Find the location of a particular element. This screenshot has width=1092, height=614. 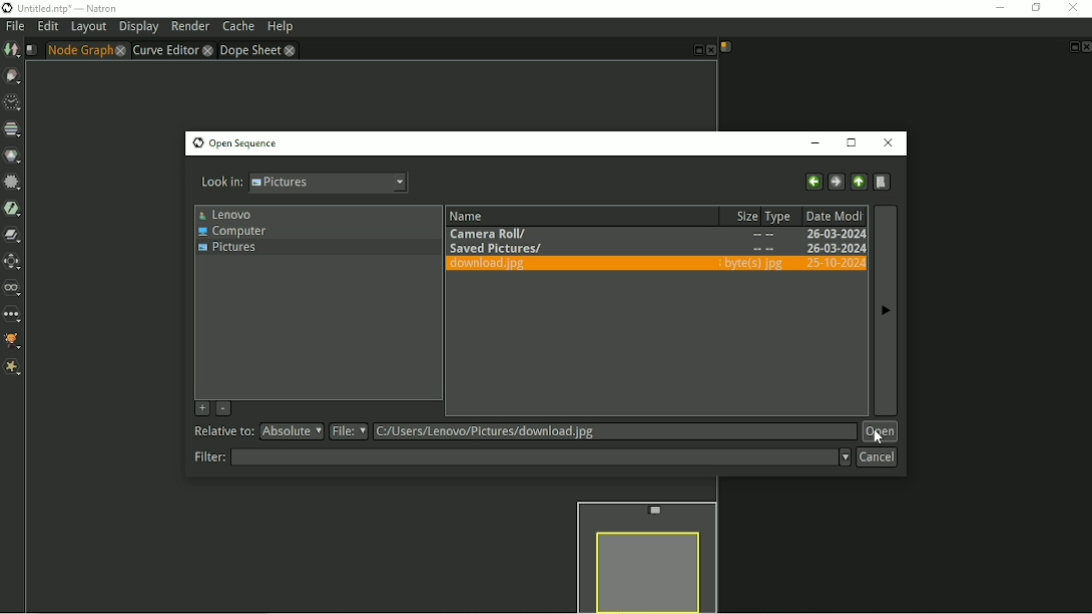

Computer is located at coordinates (232, 232).